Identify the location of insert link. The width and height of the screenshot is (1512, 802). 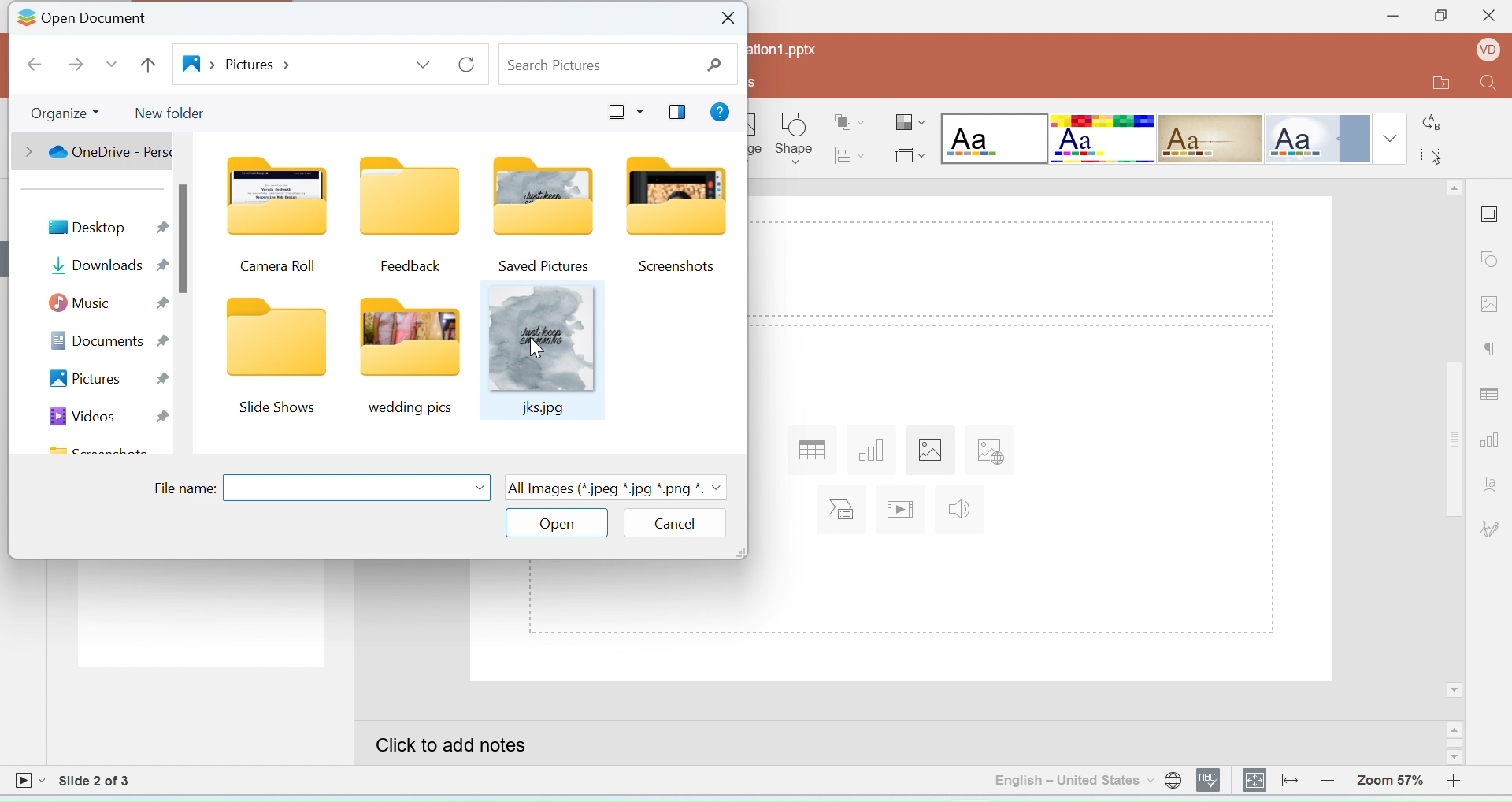
(987, 454).